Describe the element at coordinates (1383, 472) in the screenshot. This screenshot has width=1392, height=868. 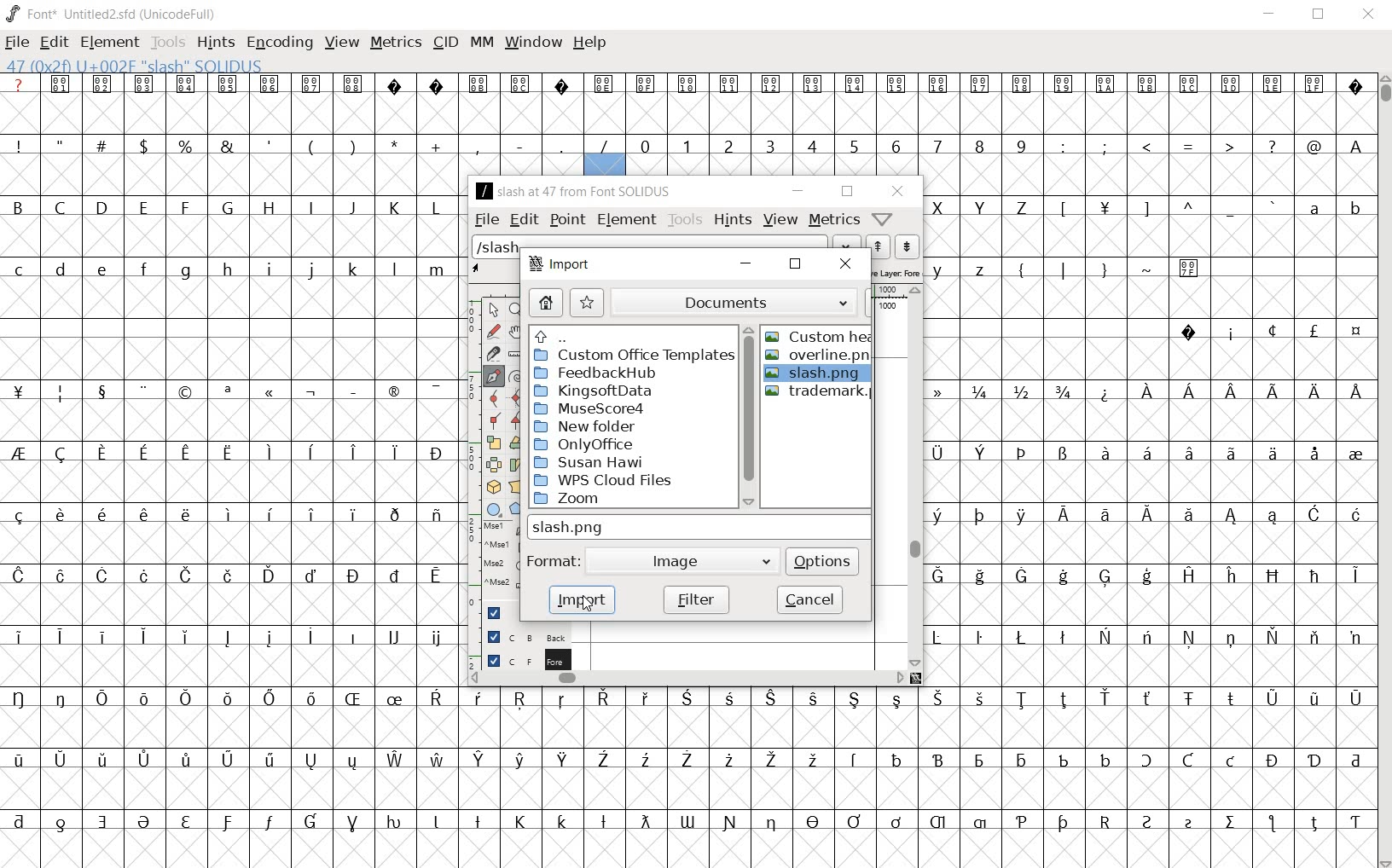
I see `CURSOR` at that location.